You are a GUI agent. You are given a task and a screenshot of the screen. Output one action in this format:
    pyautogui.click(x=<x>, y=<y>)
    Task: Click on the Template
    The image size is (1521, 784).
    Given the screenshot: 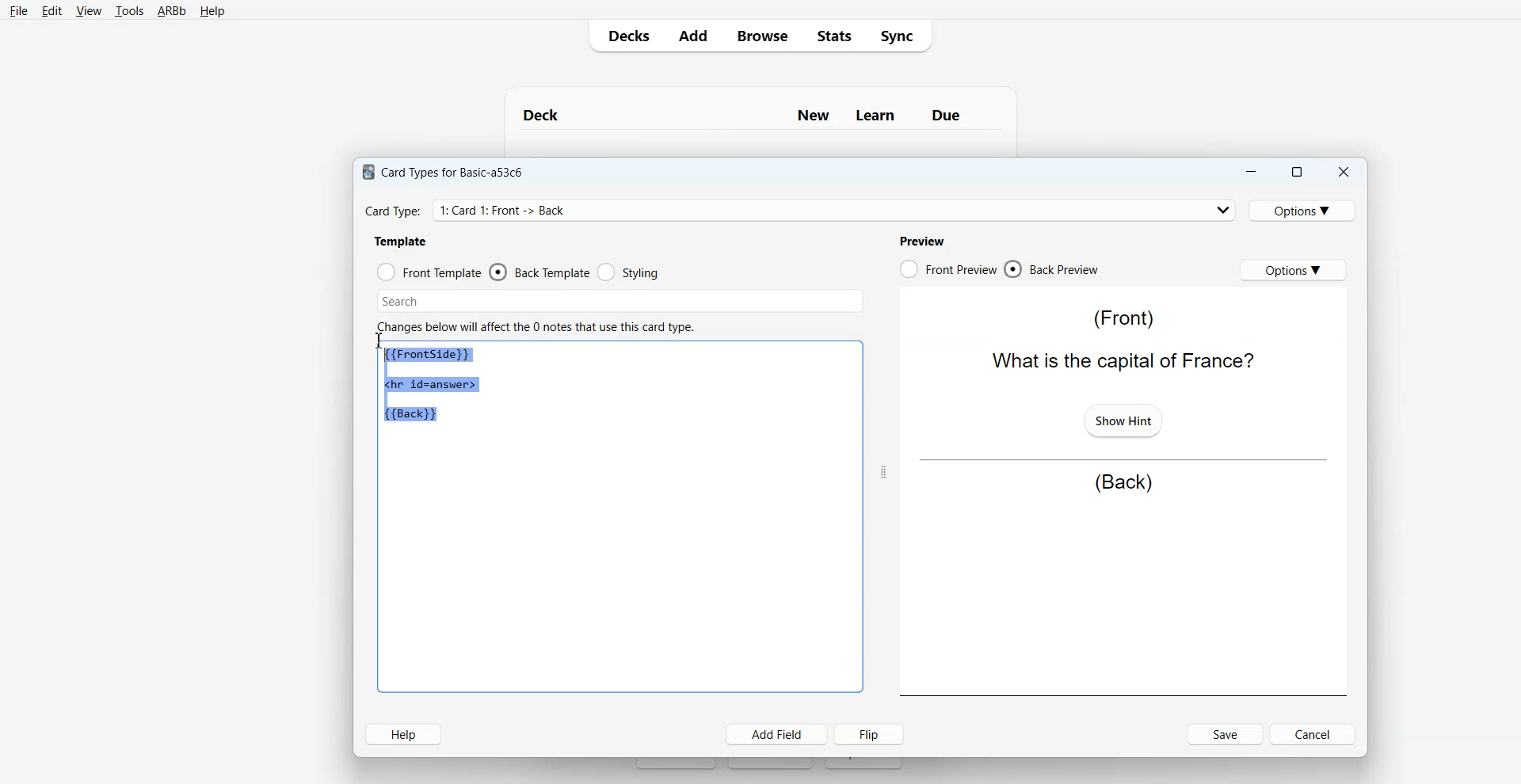 What is the action you would take?
    pyautogui.click(x=402, y=241)
    